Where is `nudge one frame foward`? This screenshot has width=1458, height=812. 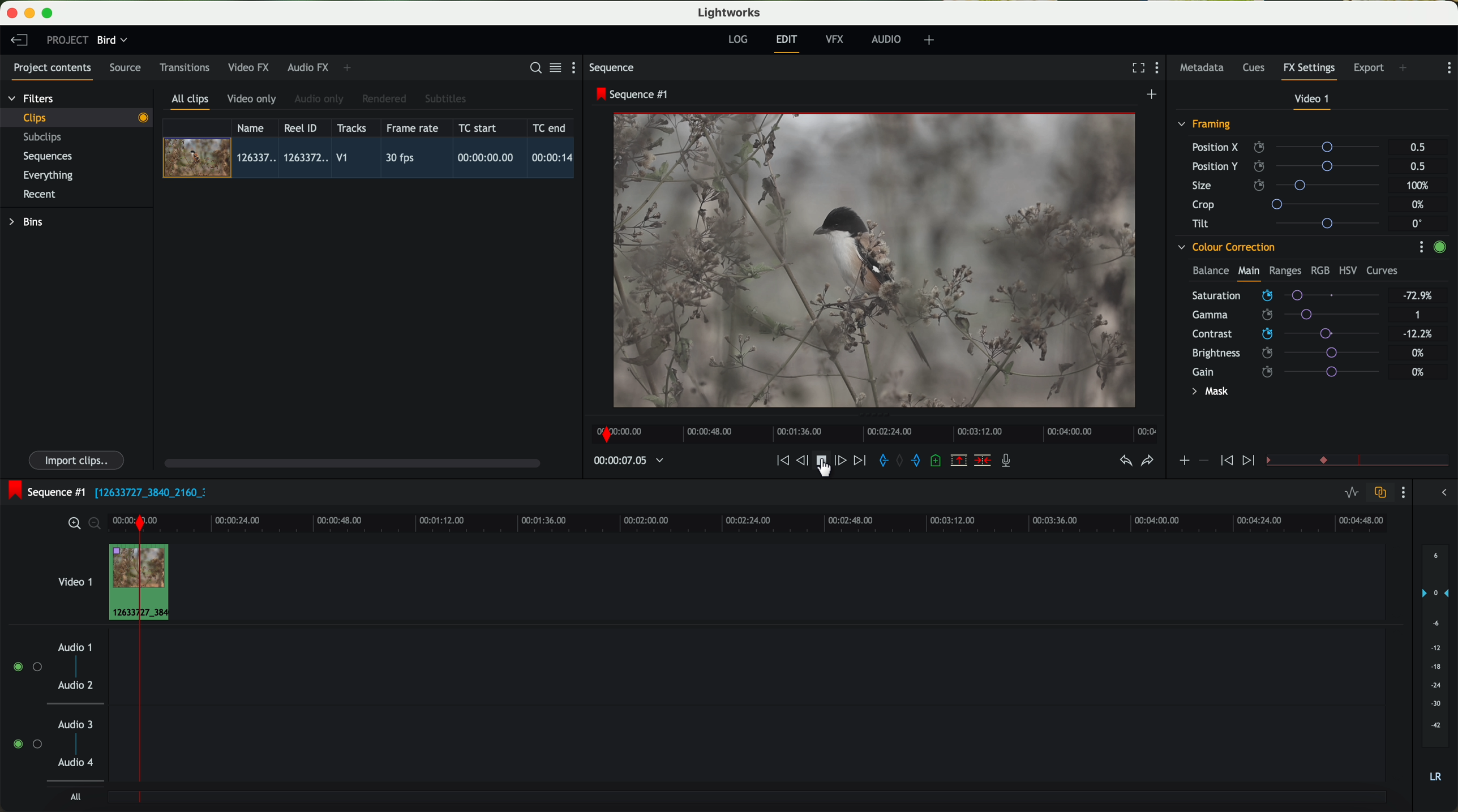
nudge one frame foward is located at coordinates (842, 461).